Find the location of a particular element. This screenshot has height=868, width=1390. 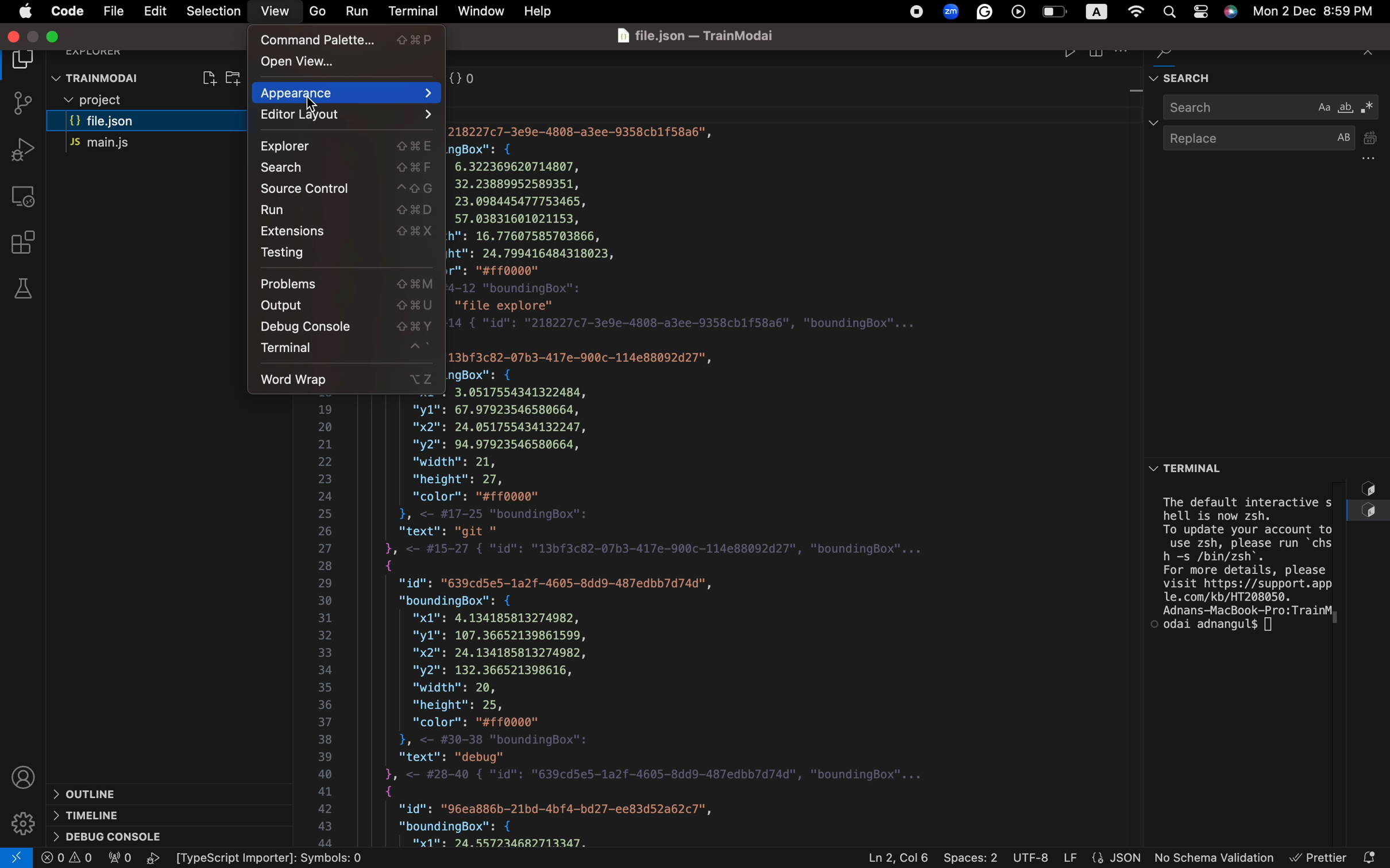

run is located at coordinates (350, 210).